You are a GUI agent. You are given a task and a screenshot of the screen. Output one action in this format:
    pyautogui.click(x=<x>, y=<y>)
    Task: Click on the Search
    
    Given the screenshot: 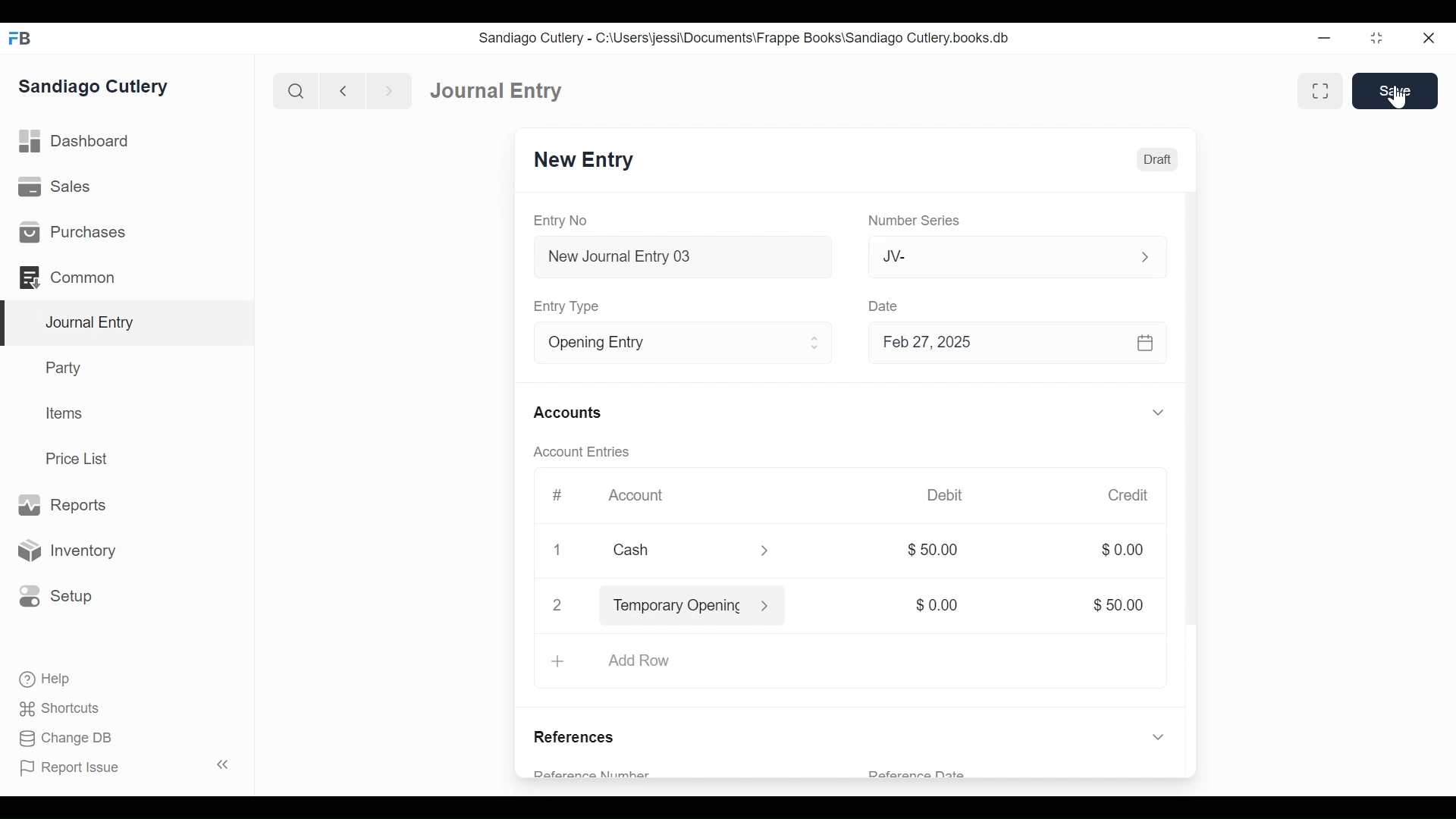 What is the action you would take?
    pyautogui.click(x=294, y=90)
    